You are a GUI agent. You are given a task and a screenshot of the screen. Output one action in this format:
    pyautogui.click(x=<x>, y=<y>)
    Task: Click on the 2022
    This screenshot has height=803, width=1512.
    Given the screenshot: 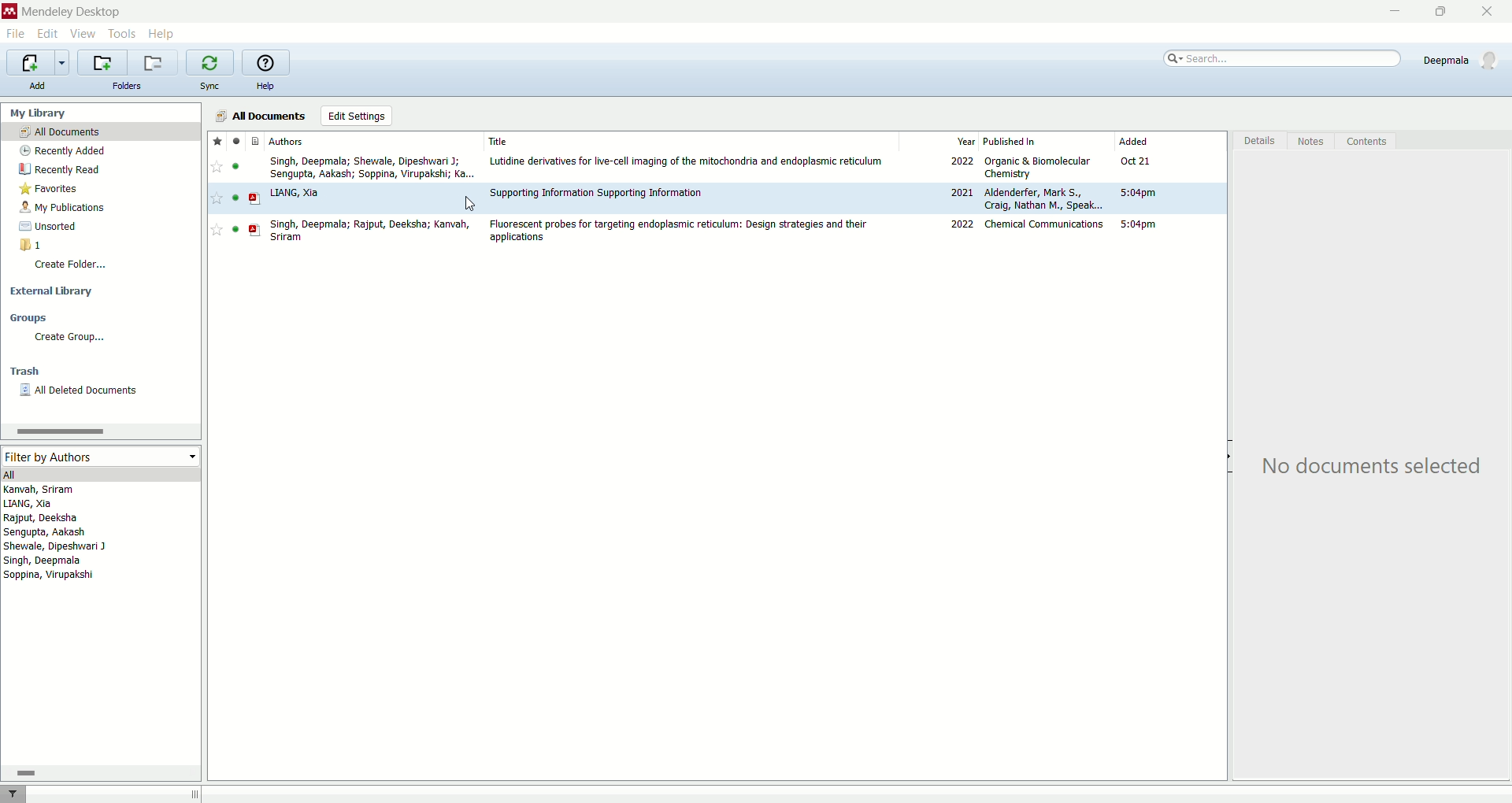 What is the action you would take?
    pyautogui.click(x=961, y=160)
    